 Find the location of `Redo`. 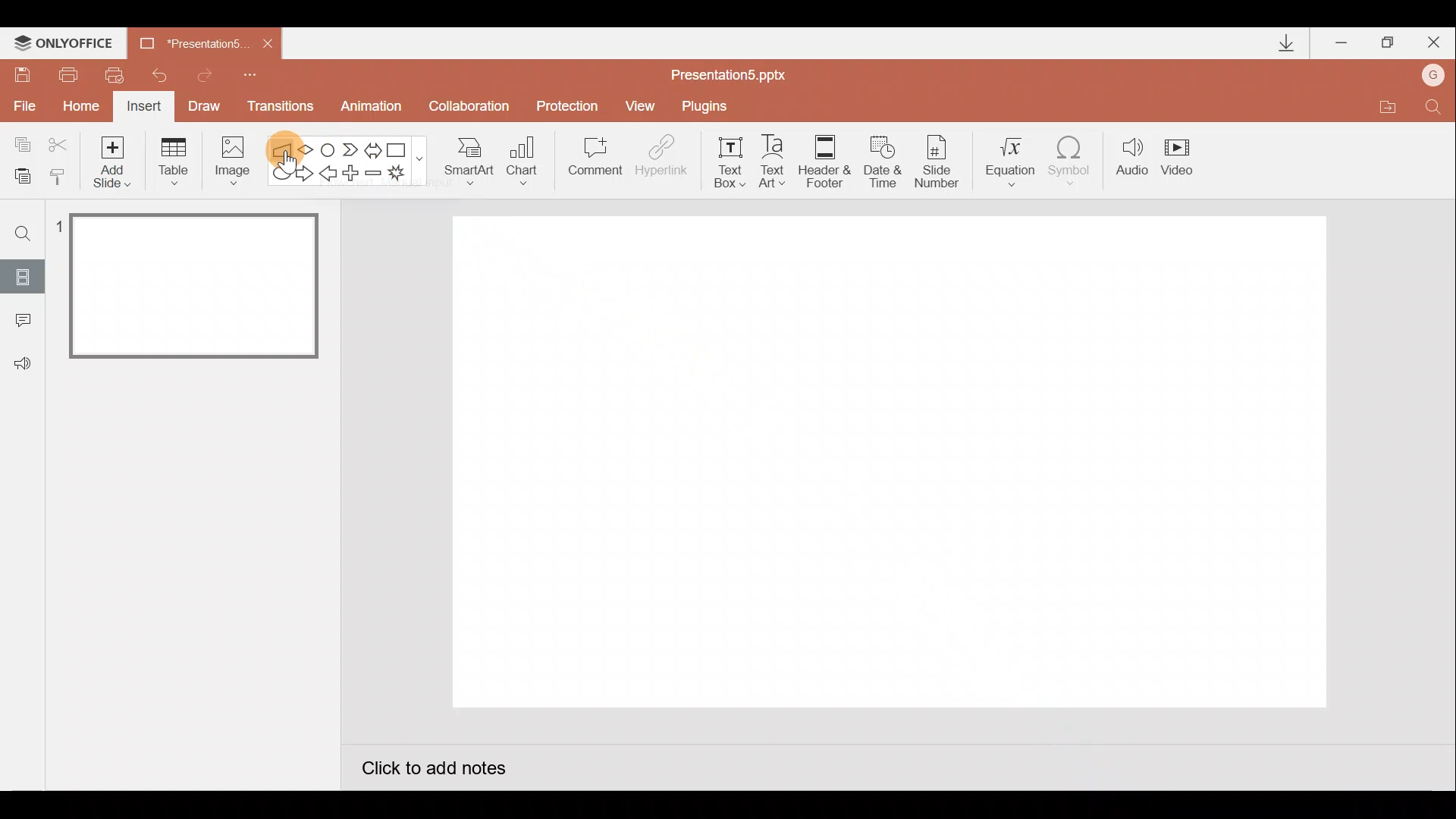

Redo is located at coordinates (206, 73).